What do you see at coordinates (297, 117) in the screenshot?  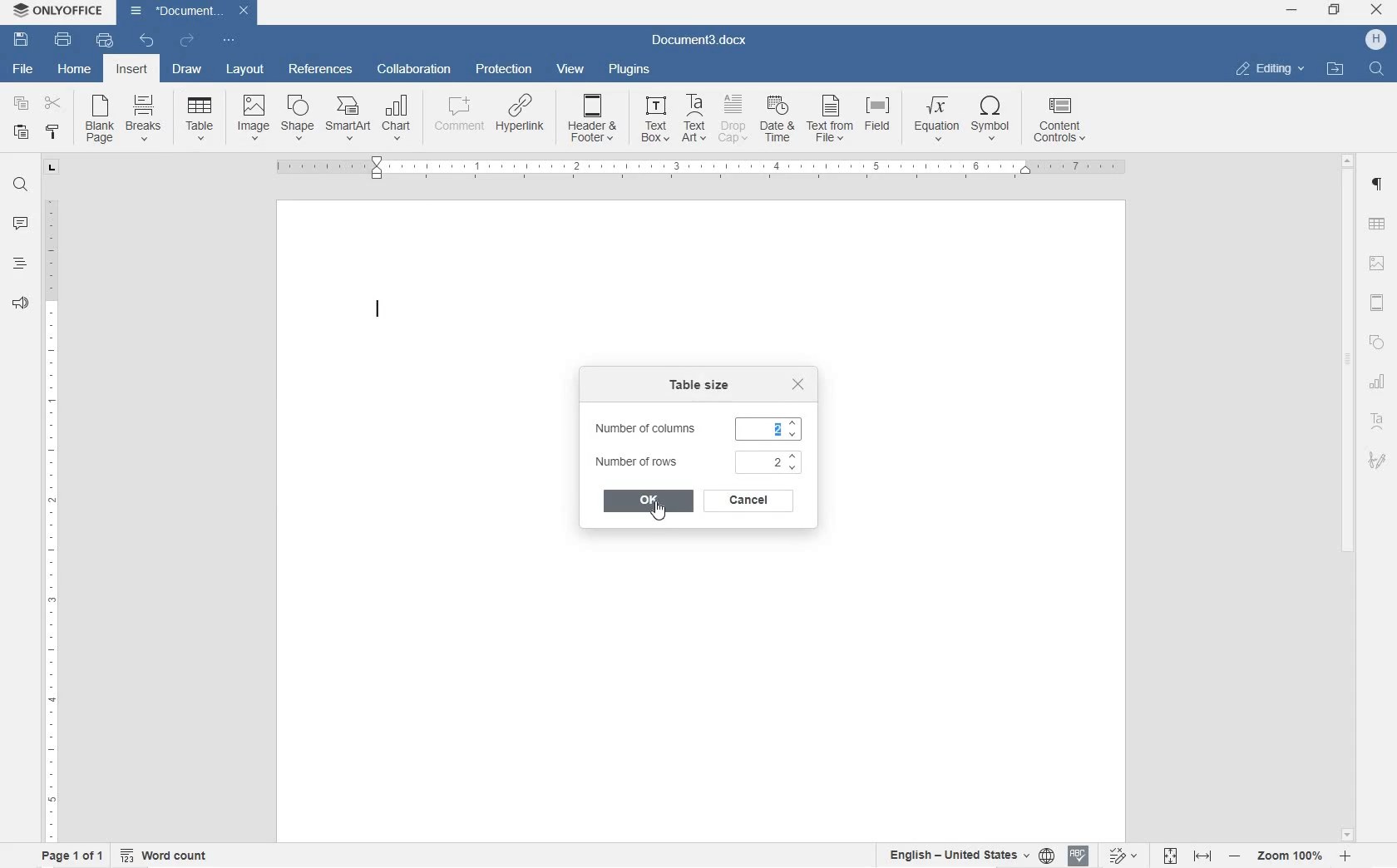 I see `Shape` at bounding box center [297, 117].